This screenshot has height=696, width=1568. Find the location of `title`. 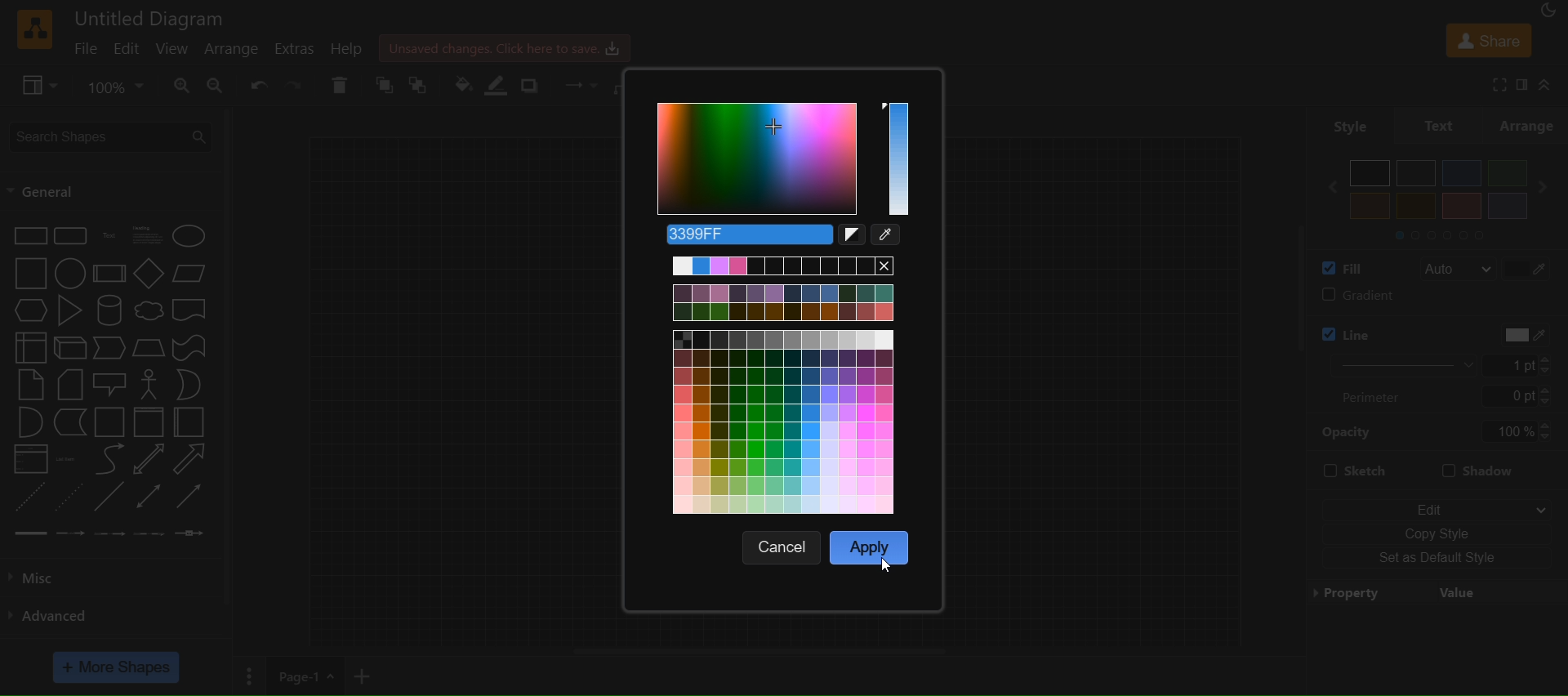

title is located at coordinates (150, 18).